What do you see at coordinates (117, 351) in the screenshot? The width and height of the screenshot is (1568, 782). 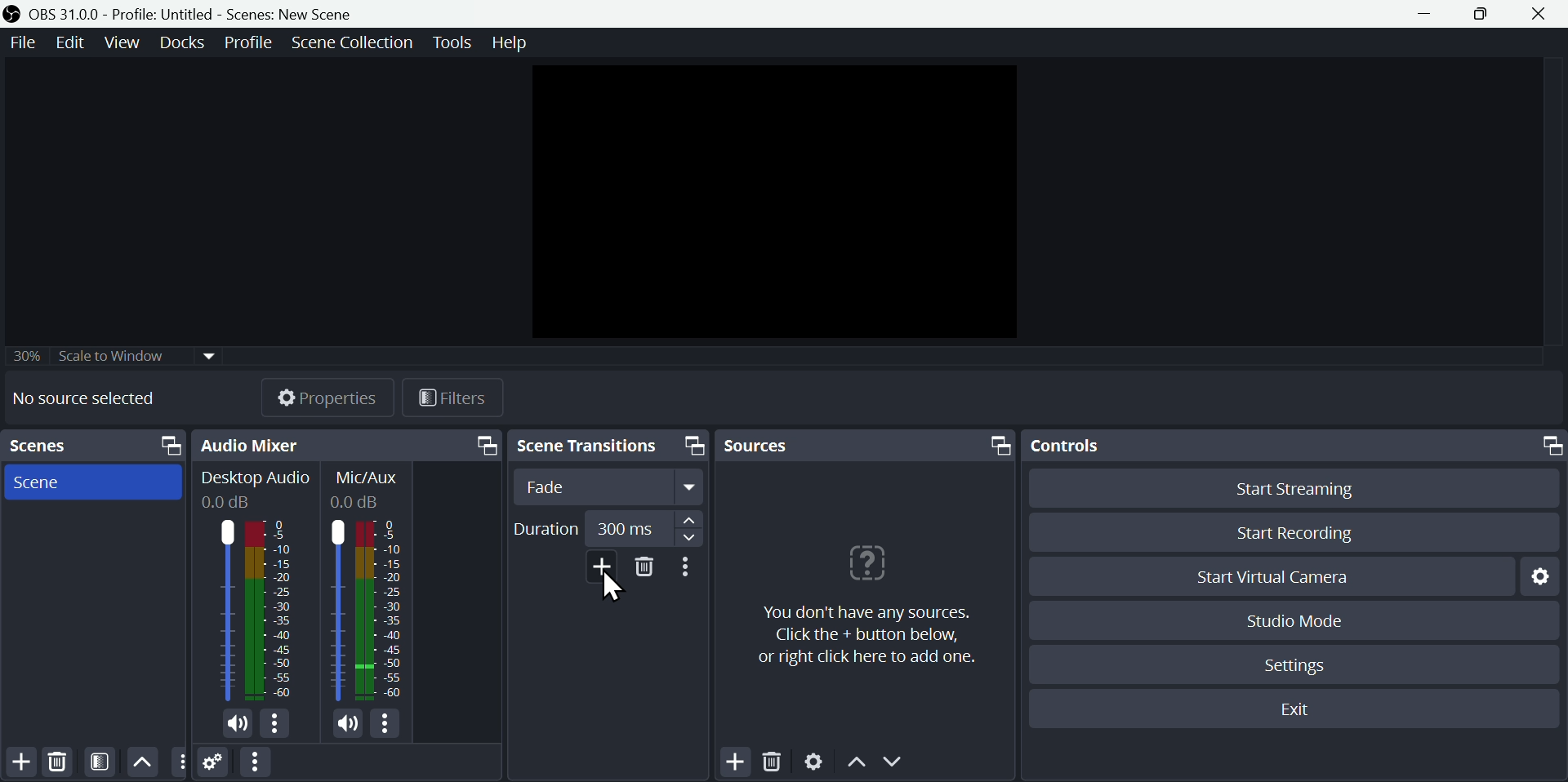 I see `` at bounding box center [117, 351].